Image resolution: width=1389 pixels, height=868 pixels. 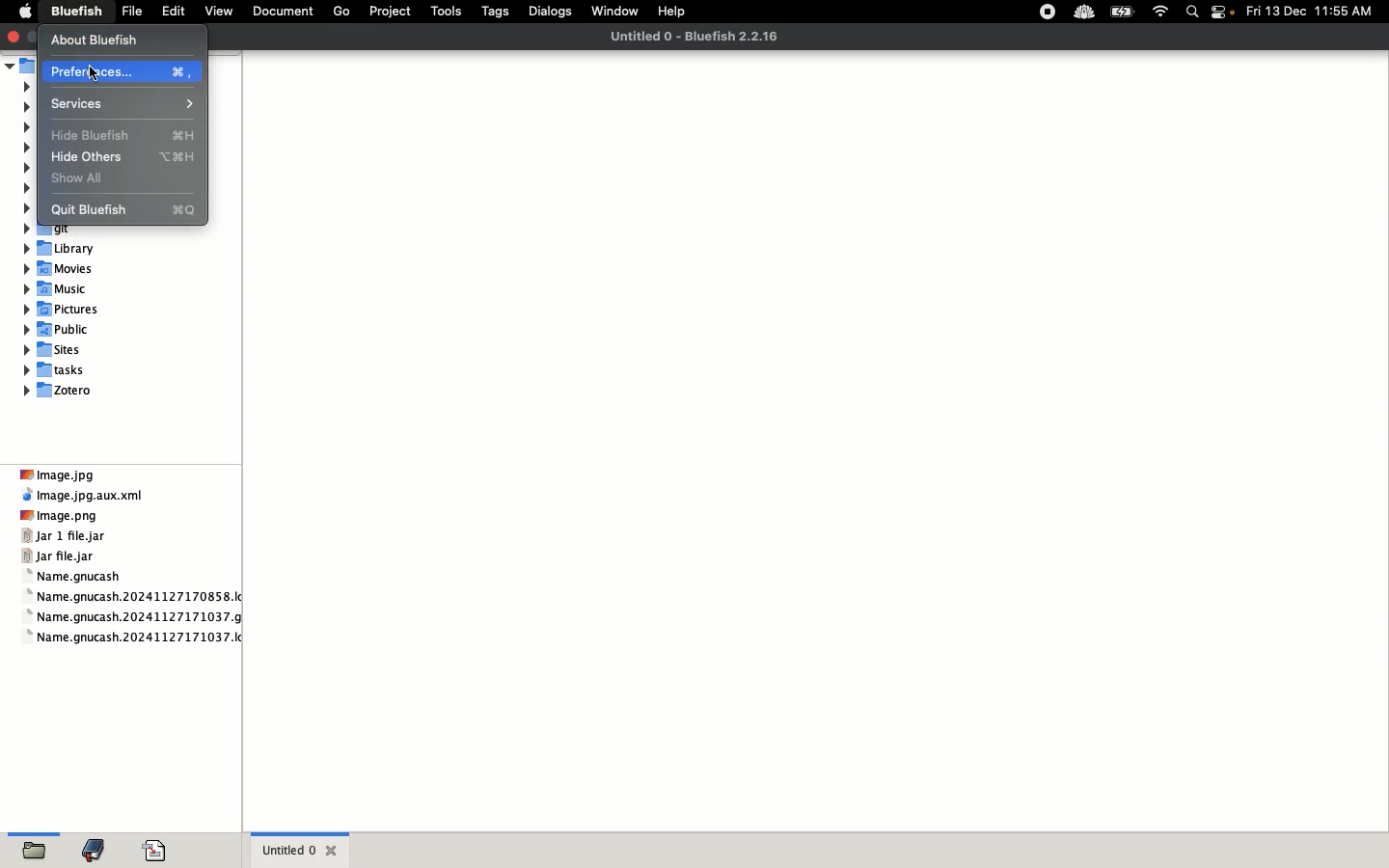 I want to click on zotero, so click(x=64, y=391).